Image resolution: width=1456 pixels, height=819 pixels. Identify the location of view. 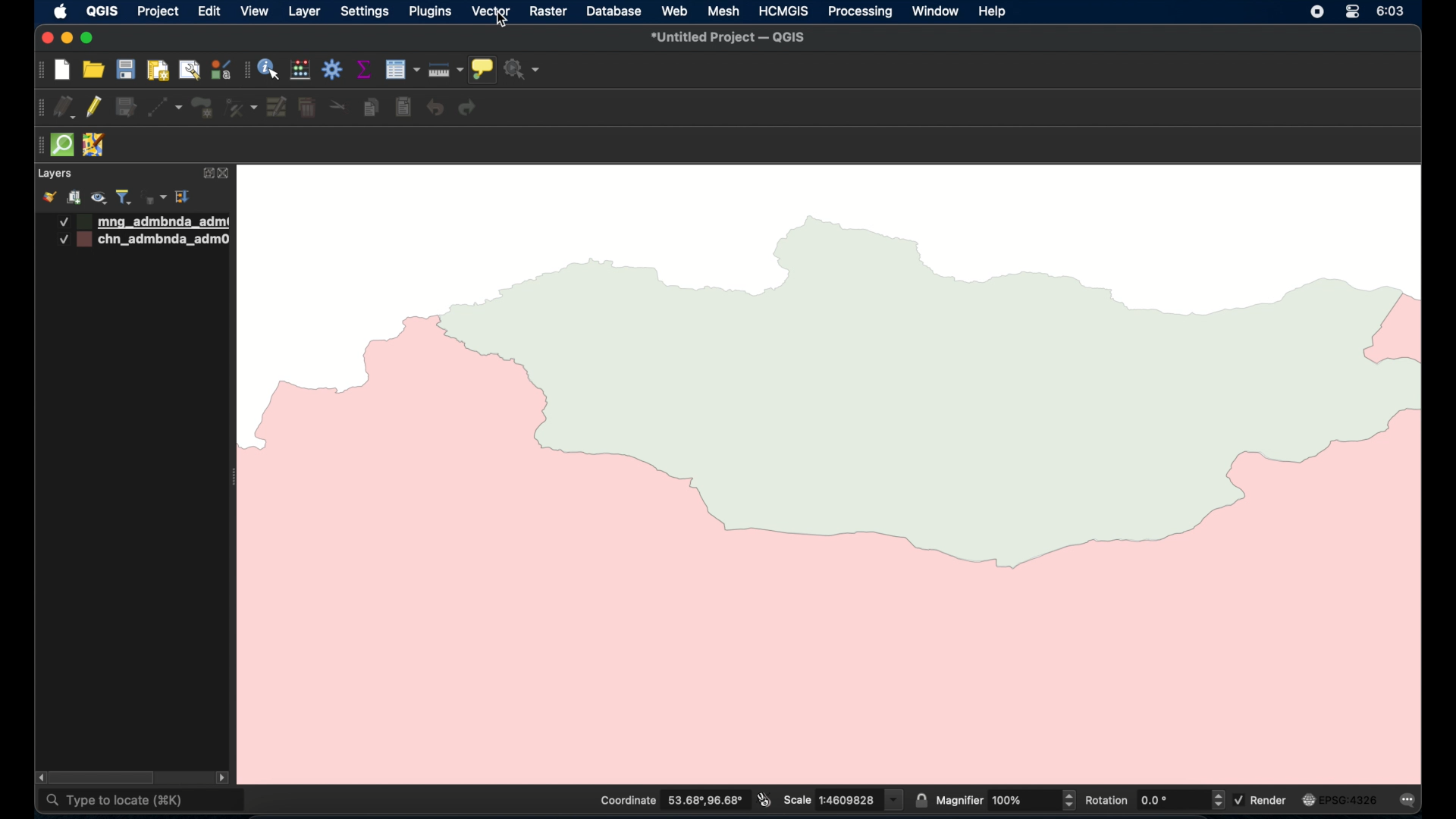
(255, 11).